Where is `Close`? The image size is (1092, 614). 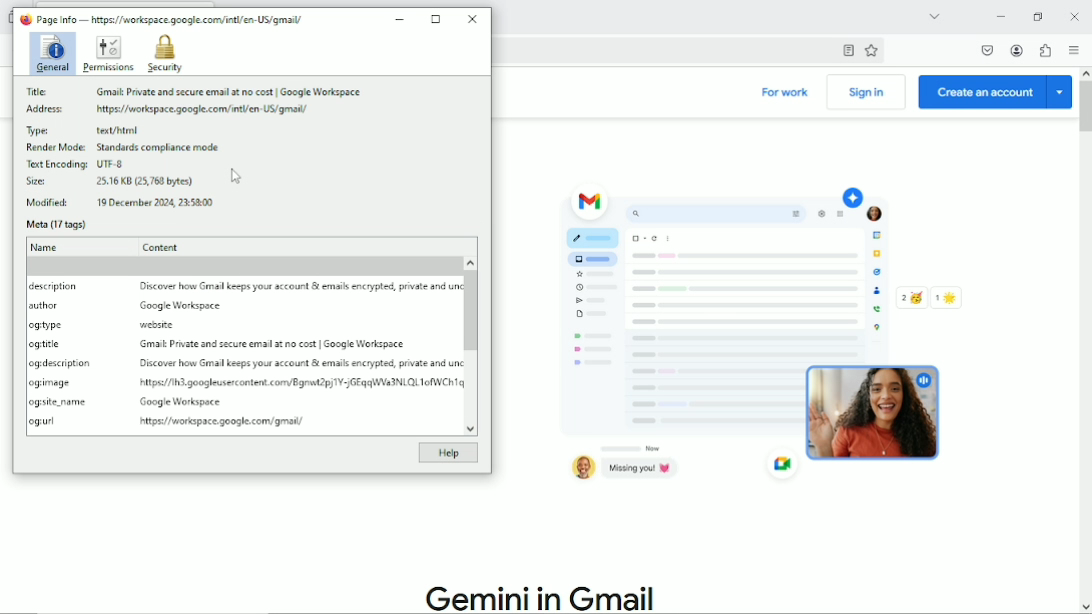
Close is located at coordinates (1073, 14).